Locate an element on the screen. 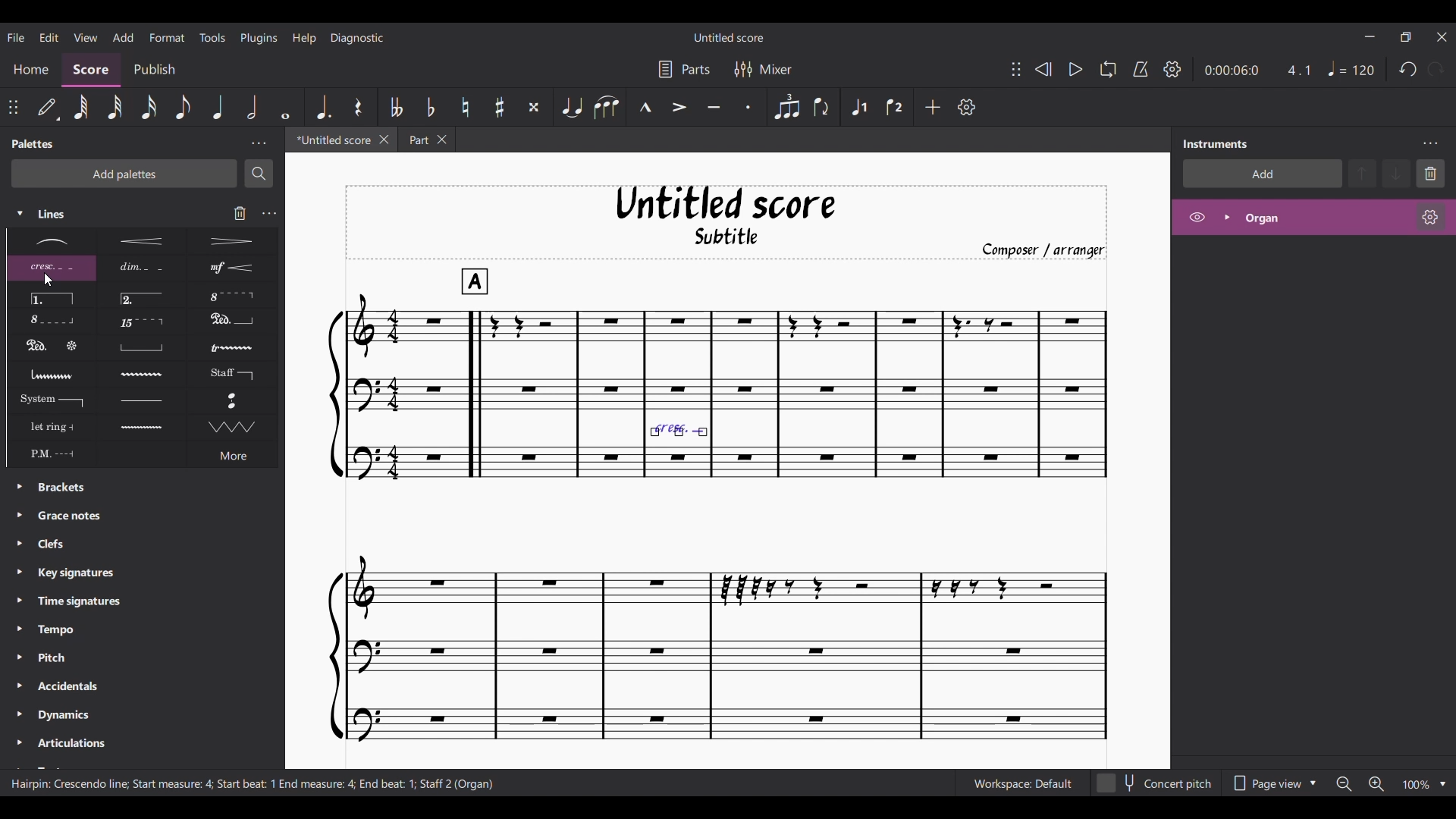 The width and height of the screenshot is (1456, 819). Half note is located at coordinates (252, 107).